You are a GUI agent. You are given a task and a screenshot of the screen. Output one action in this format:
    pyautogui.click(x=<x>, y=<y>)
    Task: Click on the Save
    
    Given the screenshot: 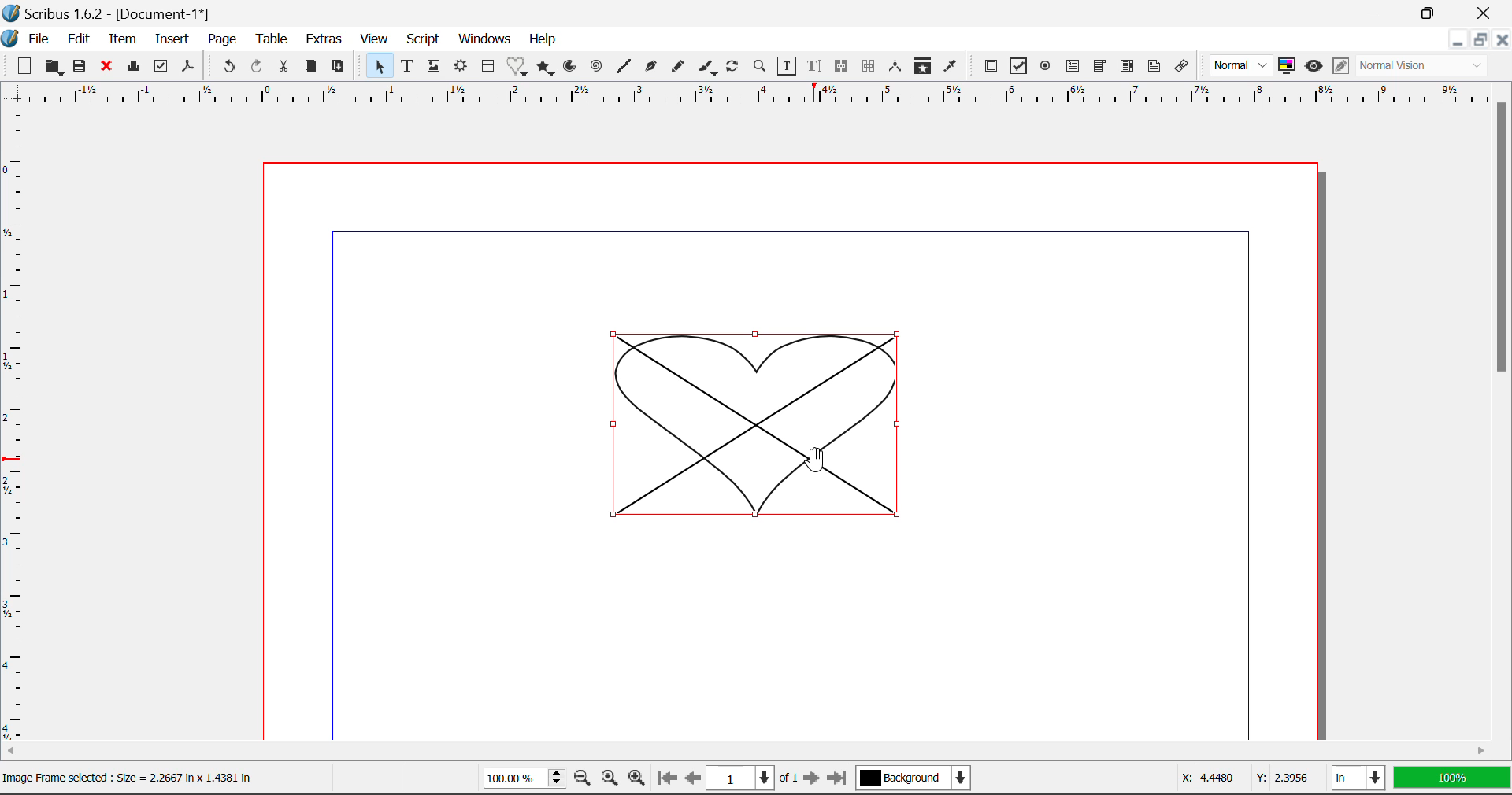 What is the action you would take?
    pyautogui.click(x=84, y=68)
    